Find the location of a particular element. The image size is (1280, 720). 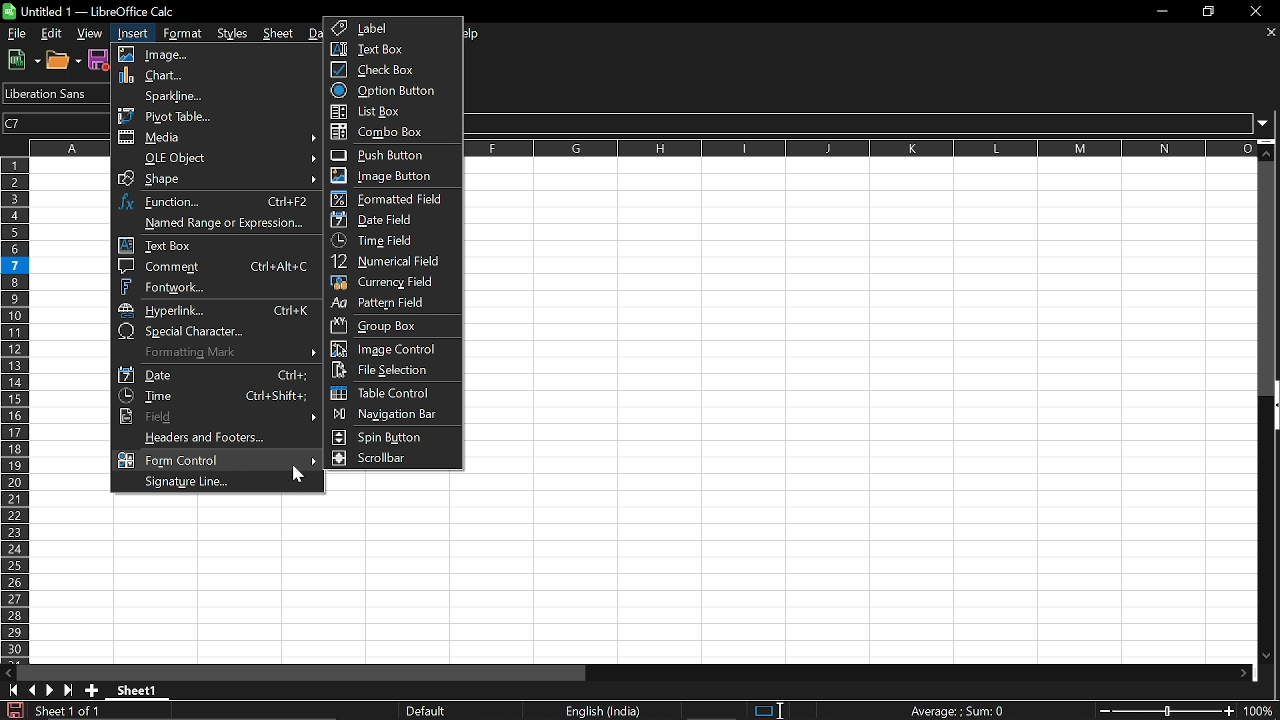

Navigation bar is located at coordinates (389, 416).